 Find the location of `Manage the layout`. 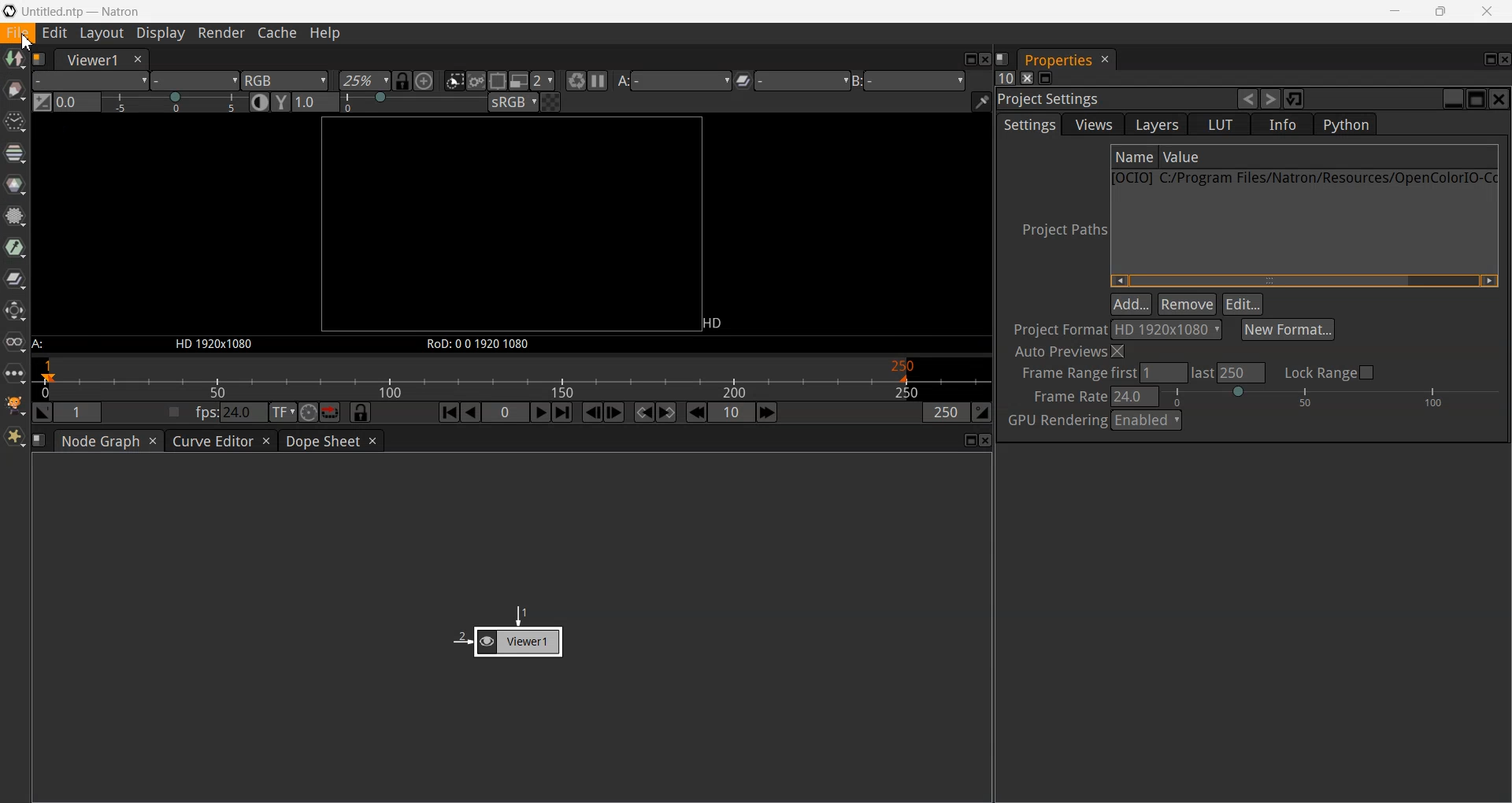

Manage the layout is located at coordinates (39, 60).